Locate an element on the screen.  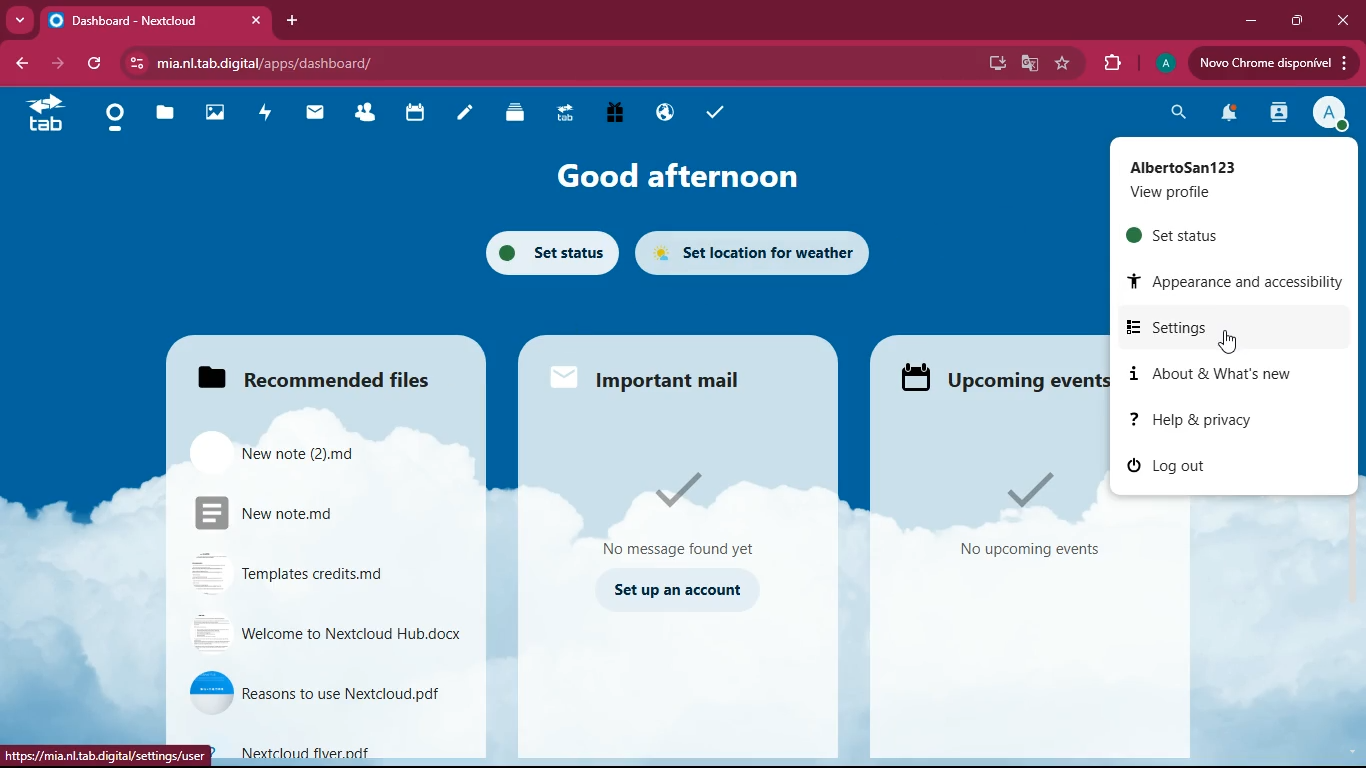
profile is located at coordinates (1168, 62).